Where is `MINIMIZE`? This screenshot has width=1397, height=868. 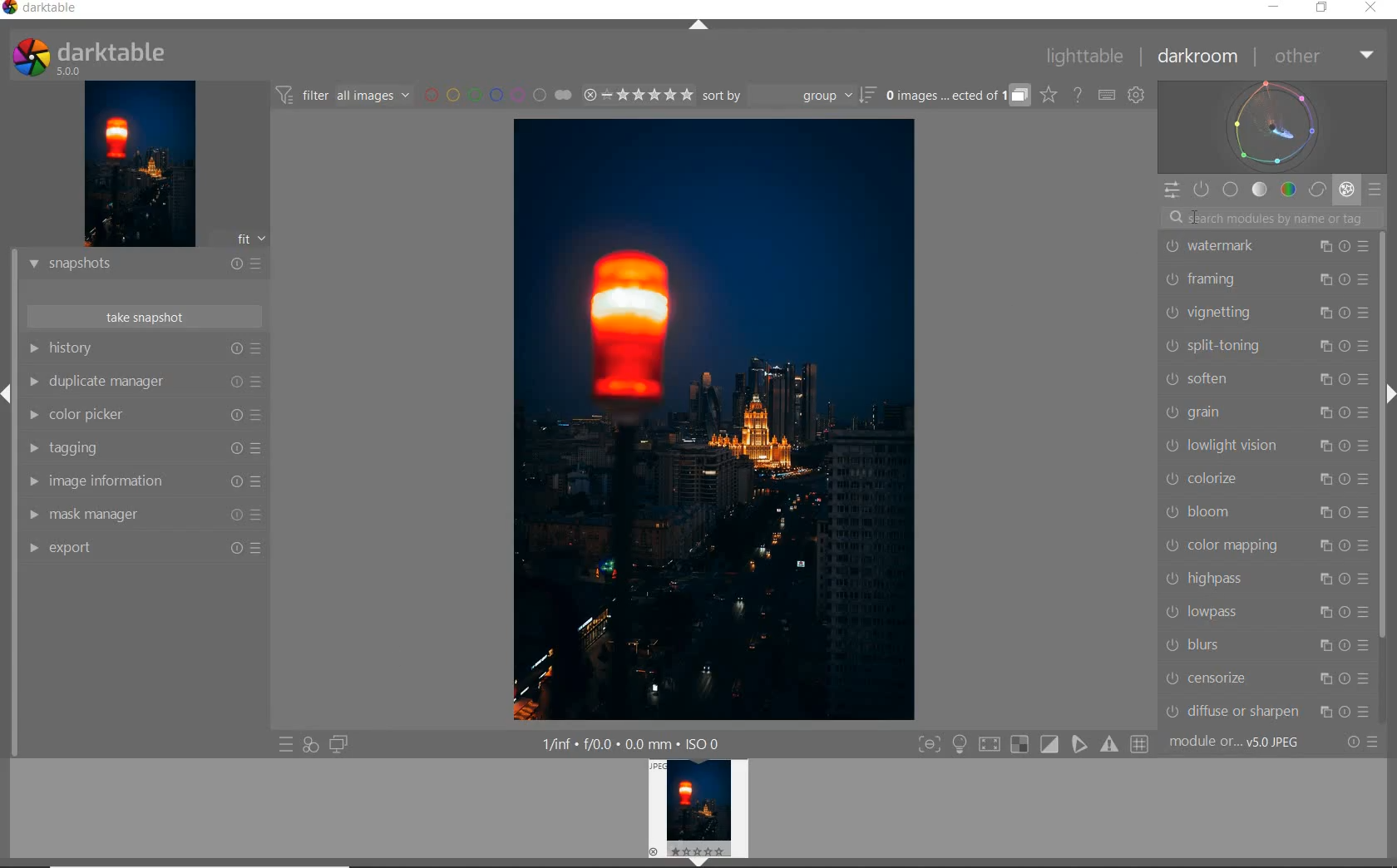
MINIMIZE is located at coordinates (1271, 8).